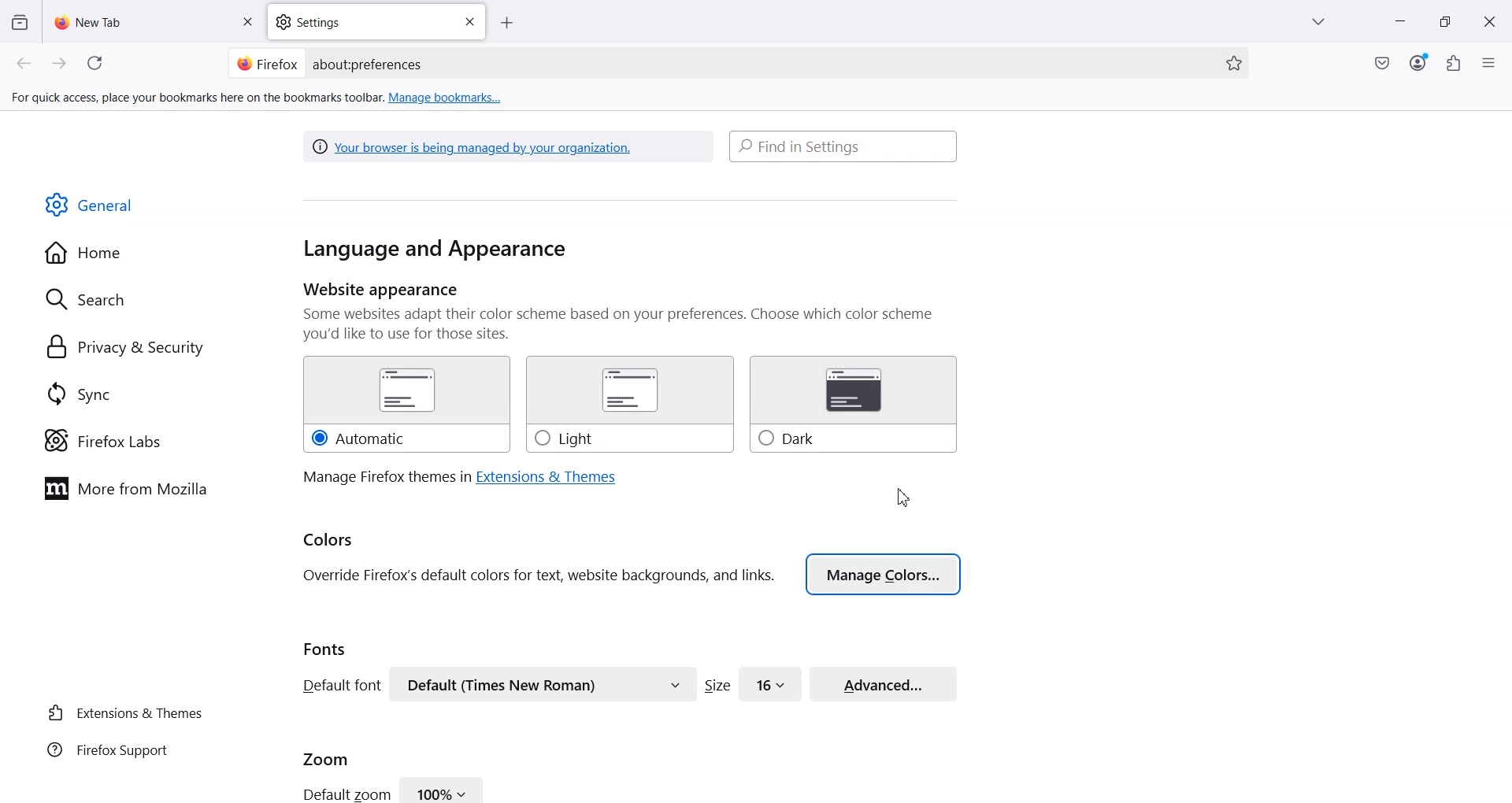  Describe the element at coordinates (329, 541) in the screenshot. I see `Colors` at that location.